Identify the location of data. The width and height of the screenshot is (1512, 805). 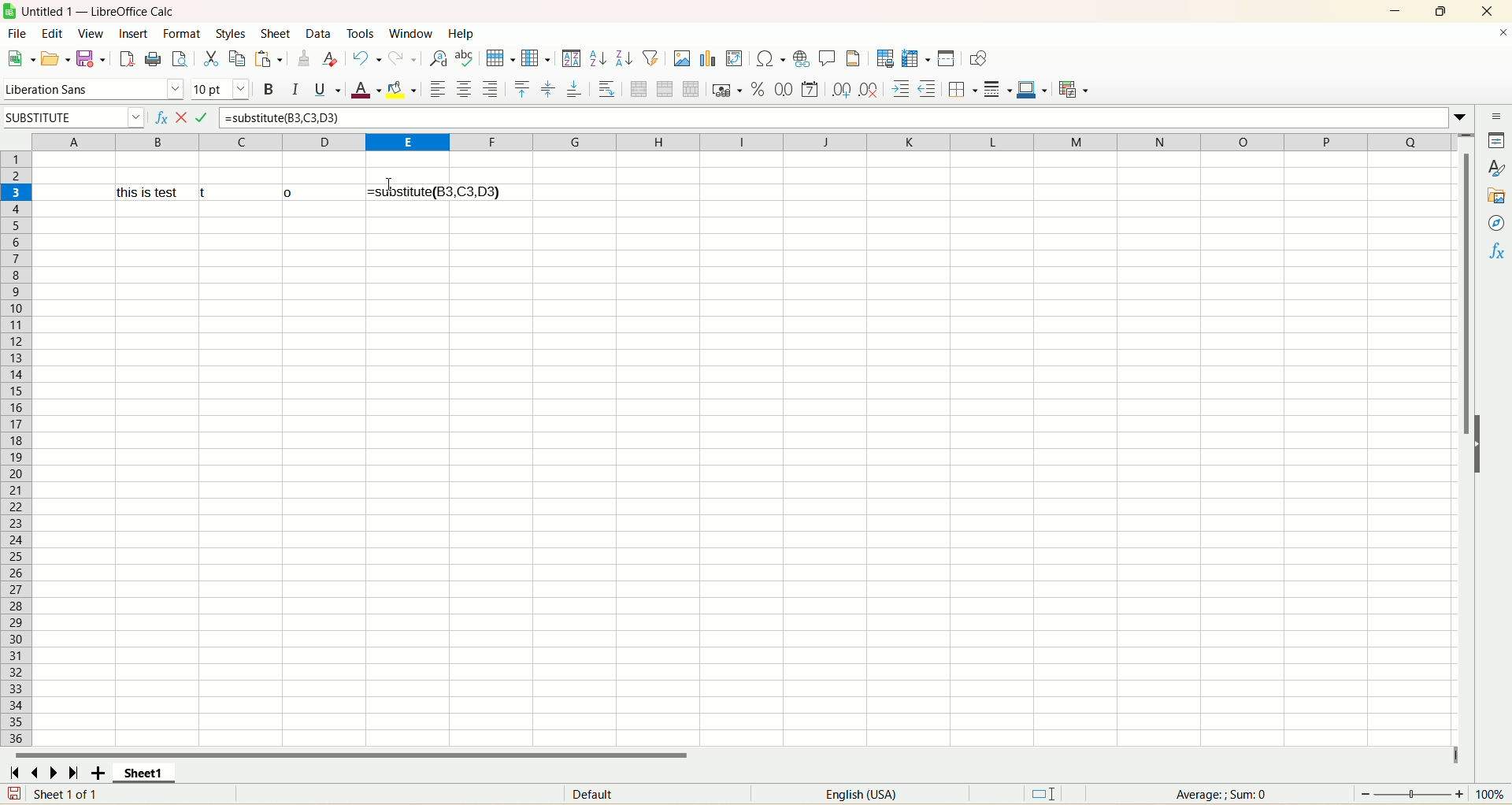
(322, 35).